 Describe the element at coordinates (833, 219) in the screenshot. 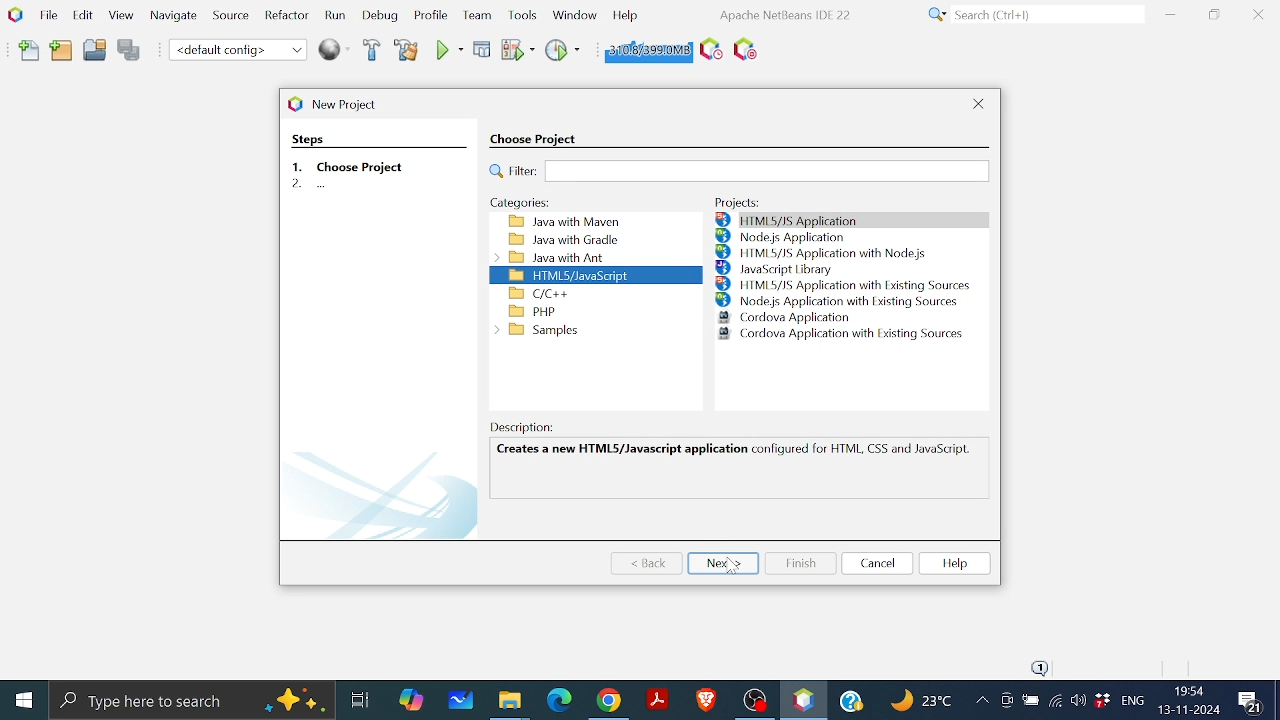

I see `HTML5/JS Application` at that location.